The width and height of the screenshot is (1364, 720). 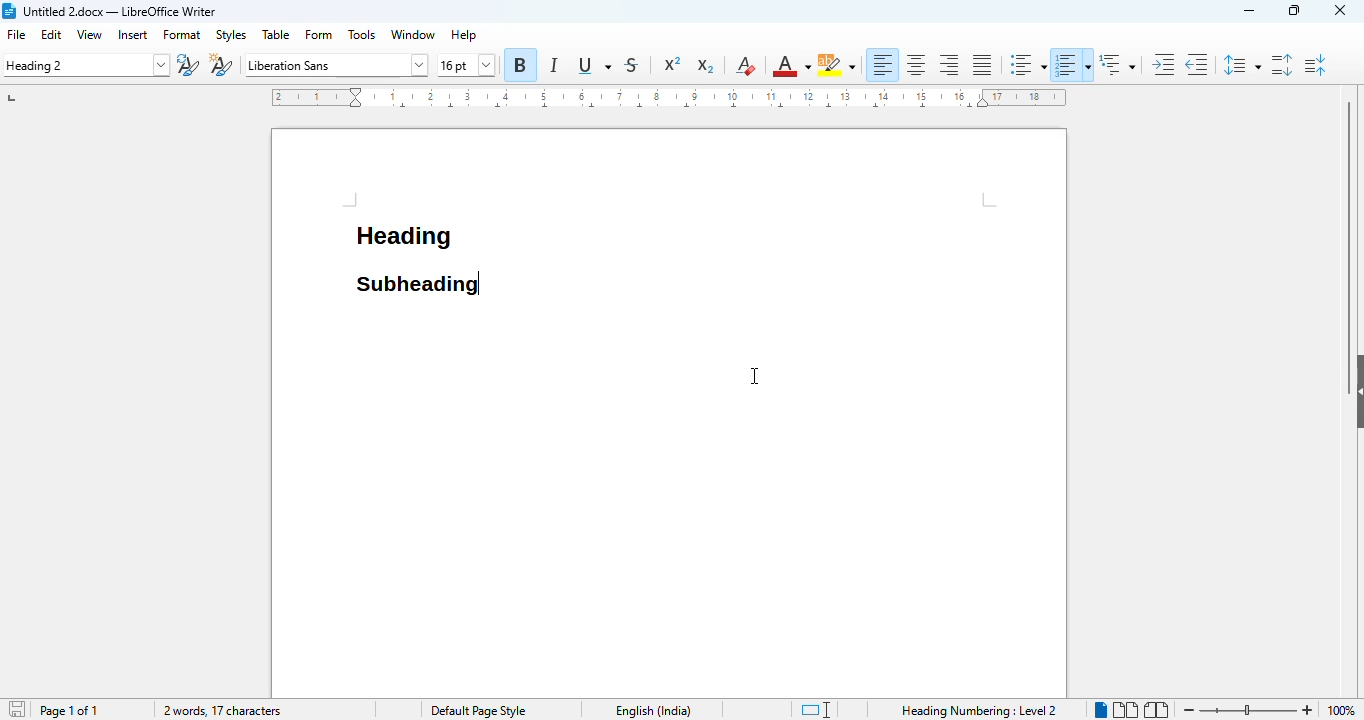 What do you see at coordinates (1341, 11) in the screenshot?
I see `close` at bounding box center [1341, 11].